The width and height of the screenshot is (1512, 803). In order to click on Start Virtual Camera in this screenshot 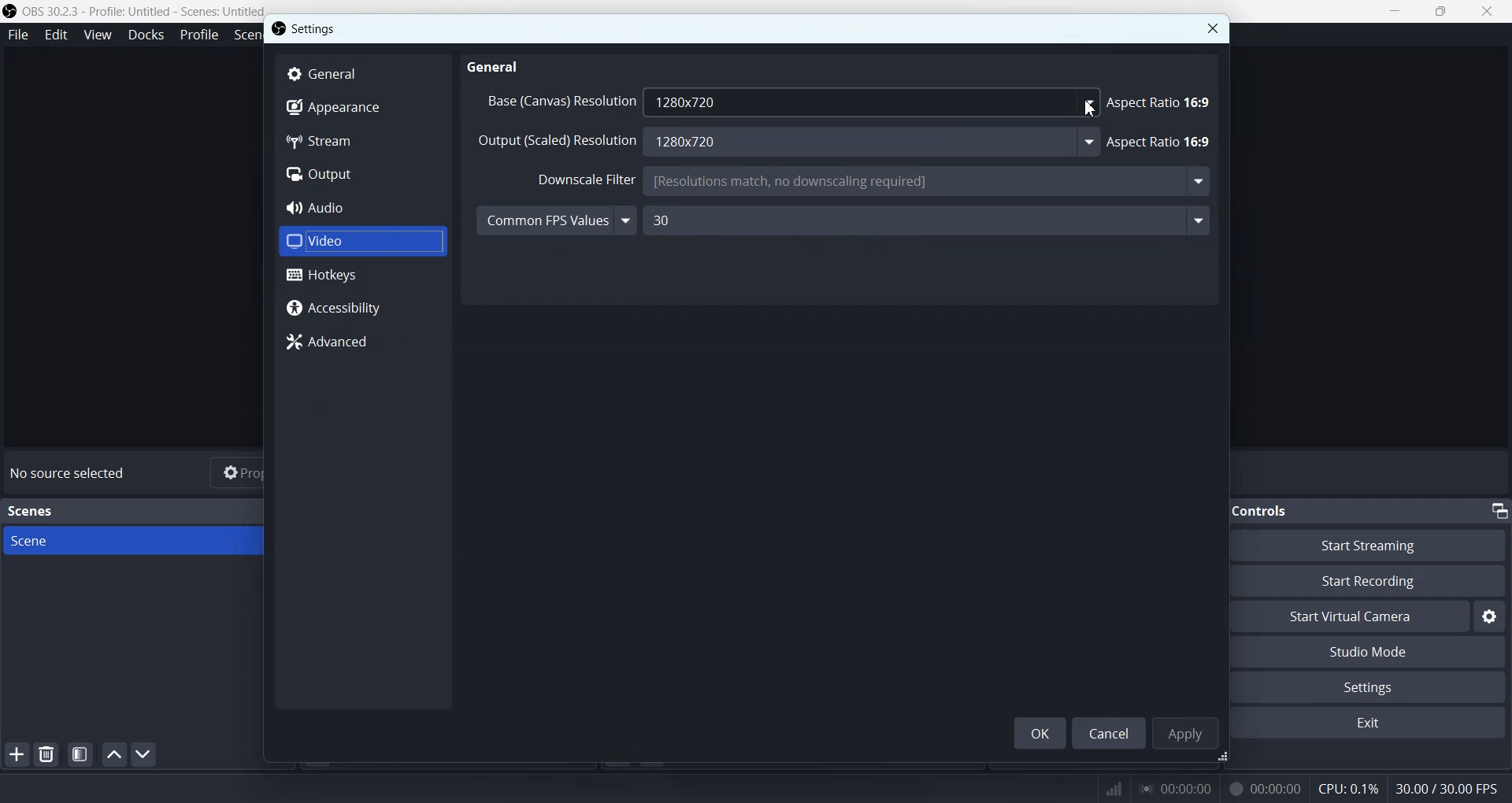, I will do `click(1358, 616)`.